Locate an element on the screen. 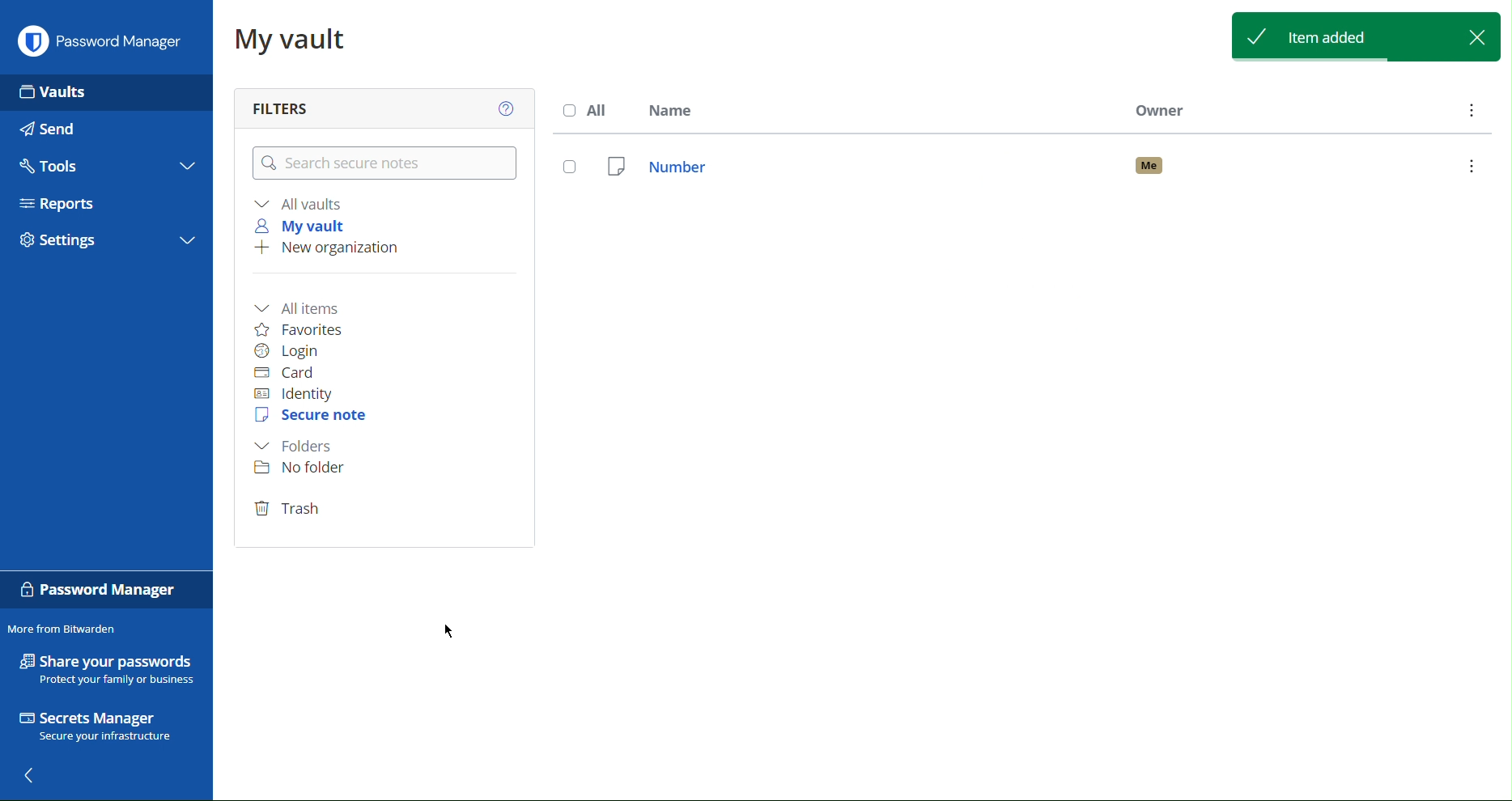 Image resolution: width=1512 pixels, height=801 pixels. More is located at coordinates (1472, 109).